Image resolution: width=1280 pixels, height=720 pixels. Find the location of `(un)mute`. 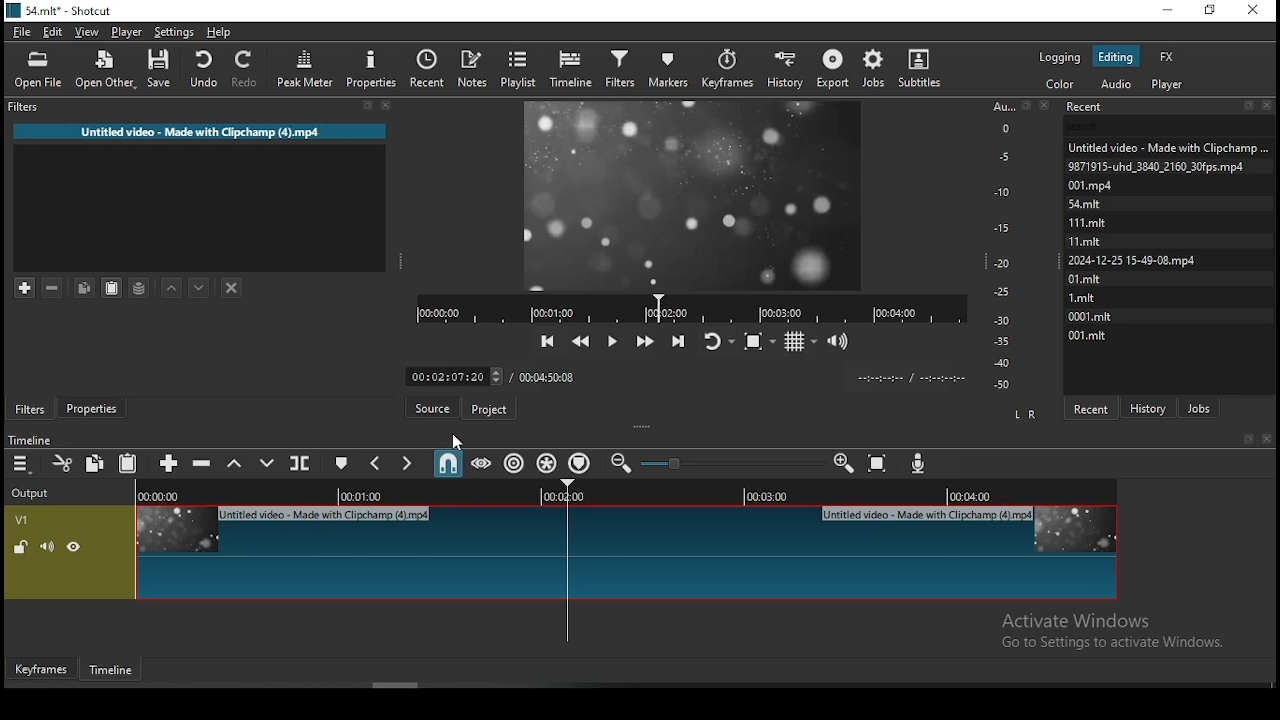

(un)mute is located at coordinates (49, 544).